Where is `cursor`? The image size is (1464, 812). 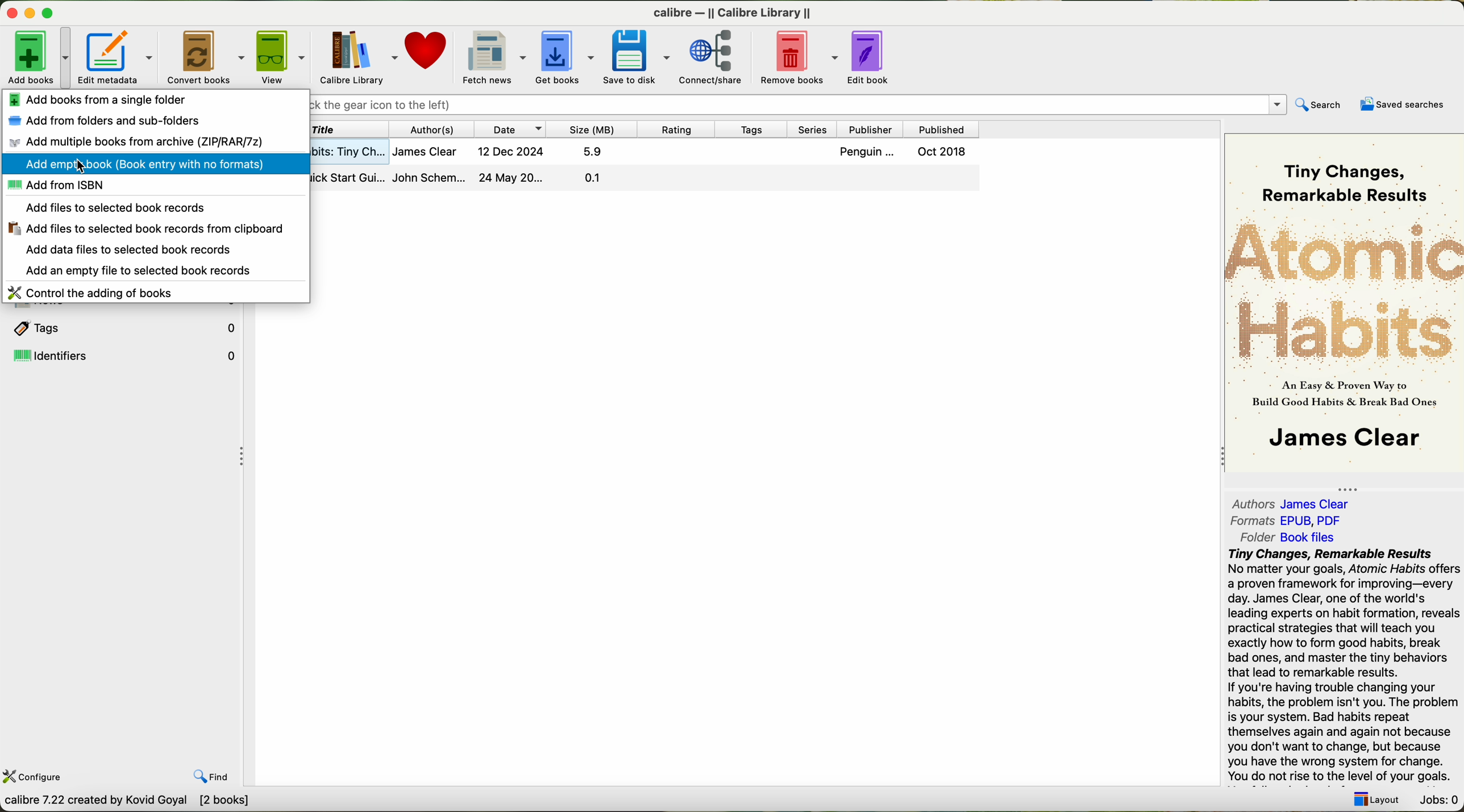 cursor is located at coordinates (85, 168).